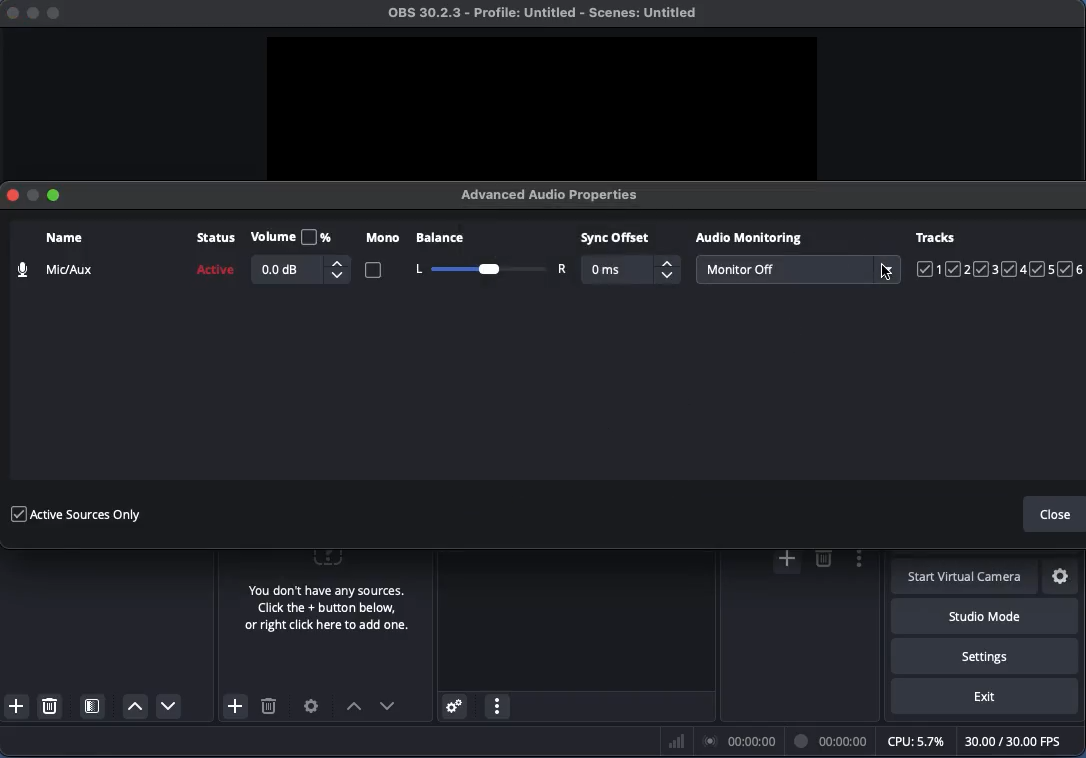 The height and width of the screenshot is (758, 1086). I want to click on Balance, so click(487, 269).